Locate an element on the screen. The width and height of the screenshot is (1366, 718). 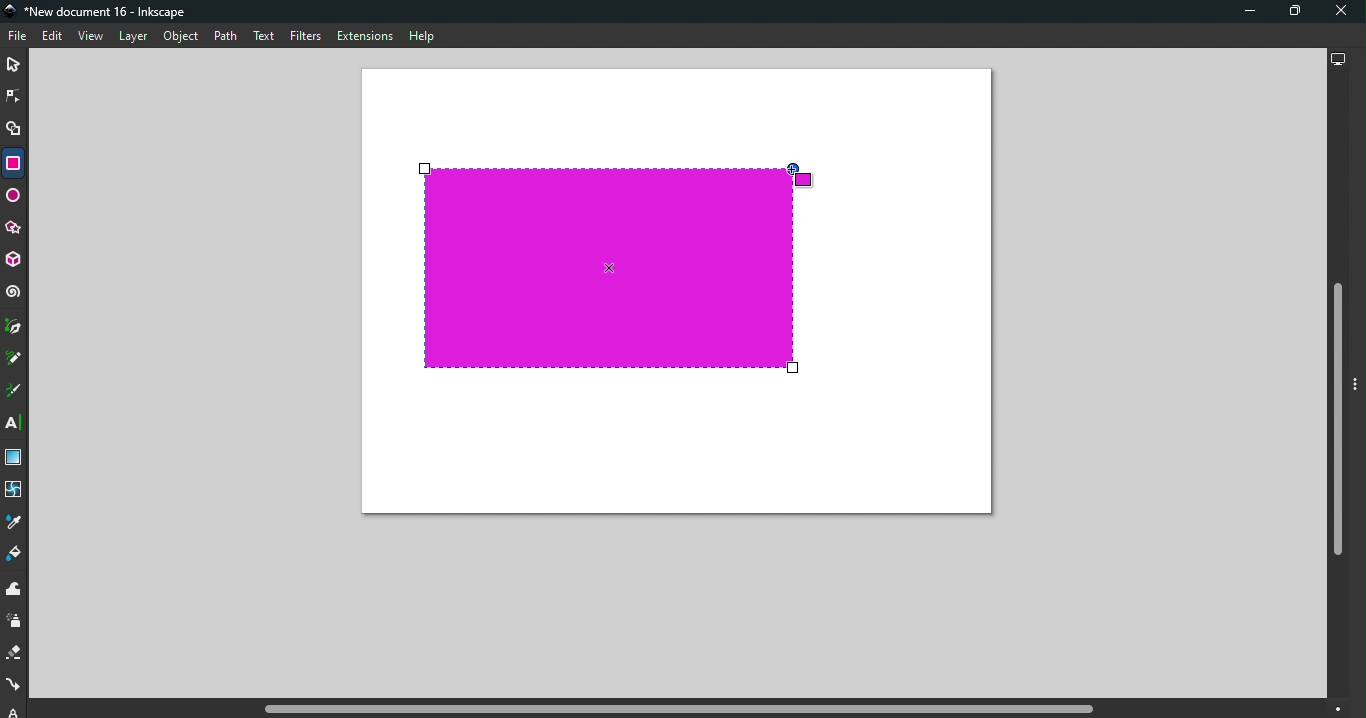
Spiral tool is located at coordinates (14, 292).